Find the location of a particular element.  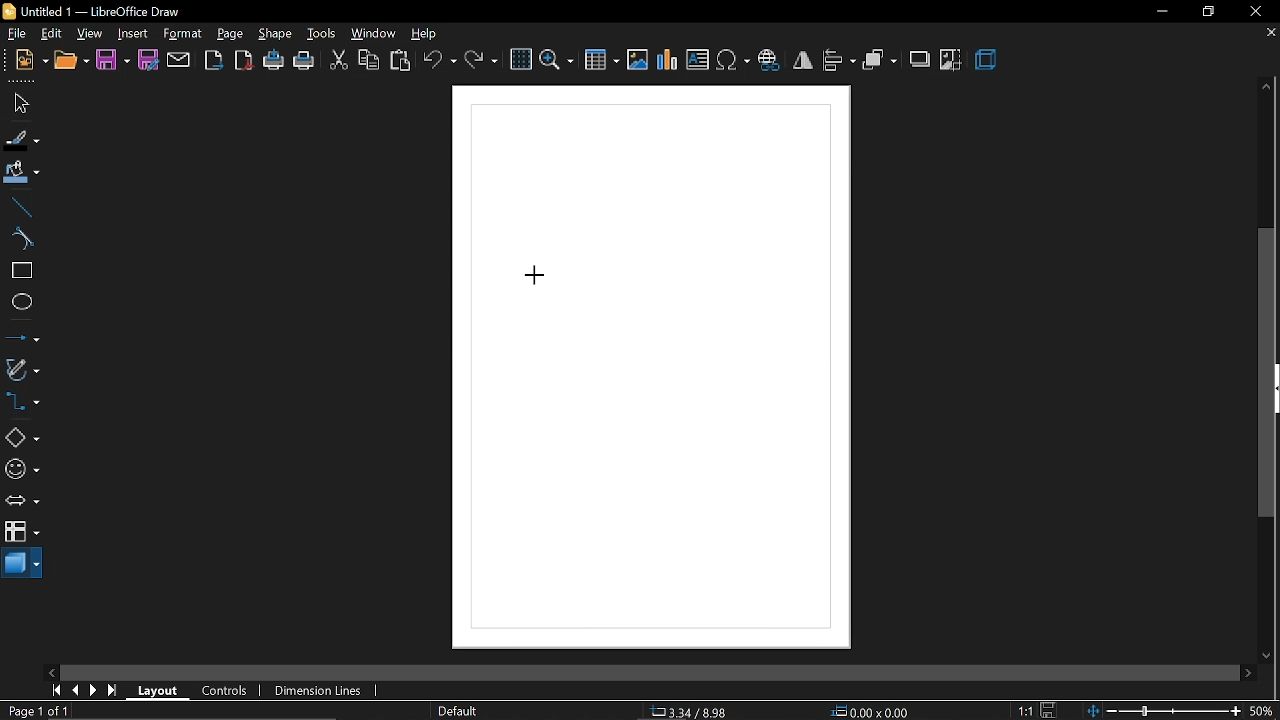

arrange is located at coordinates (879, 62).